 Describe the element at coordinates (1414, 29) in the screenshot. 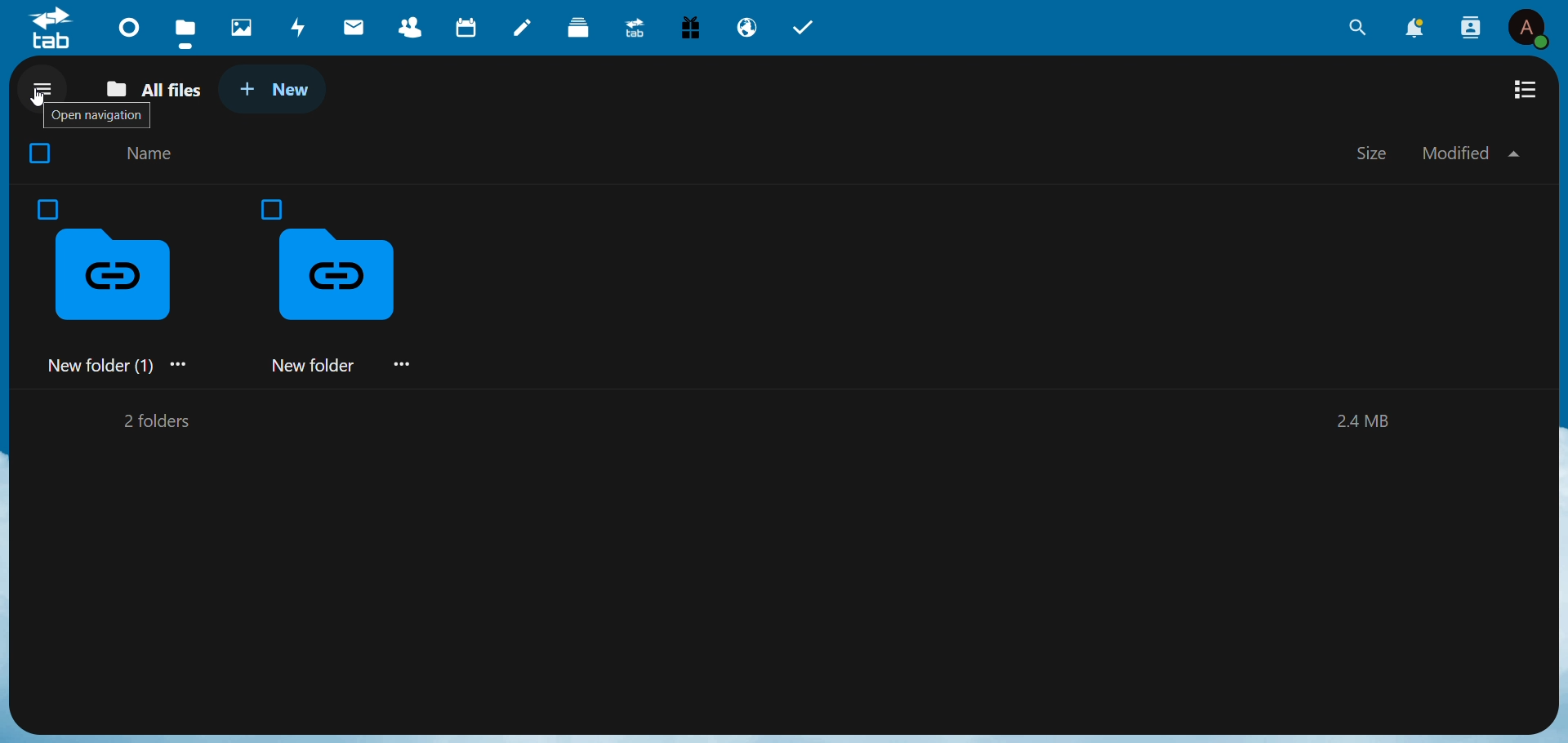

I see `notification` at that location.